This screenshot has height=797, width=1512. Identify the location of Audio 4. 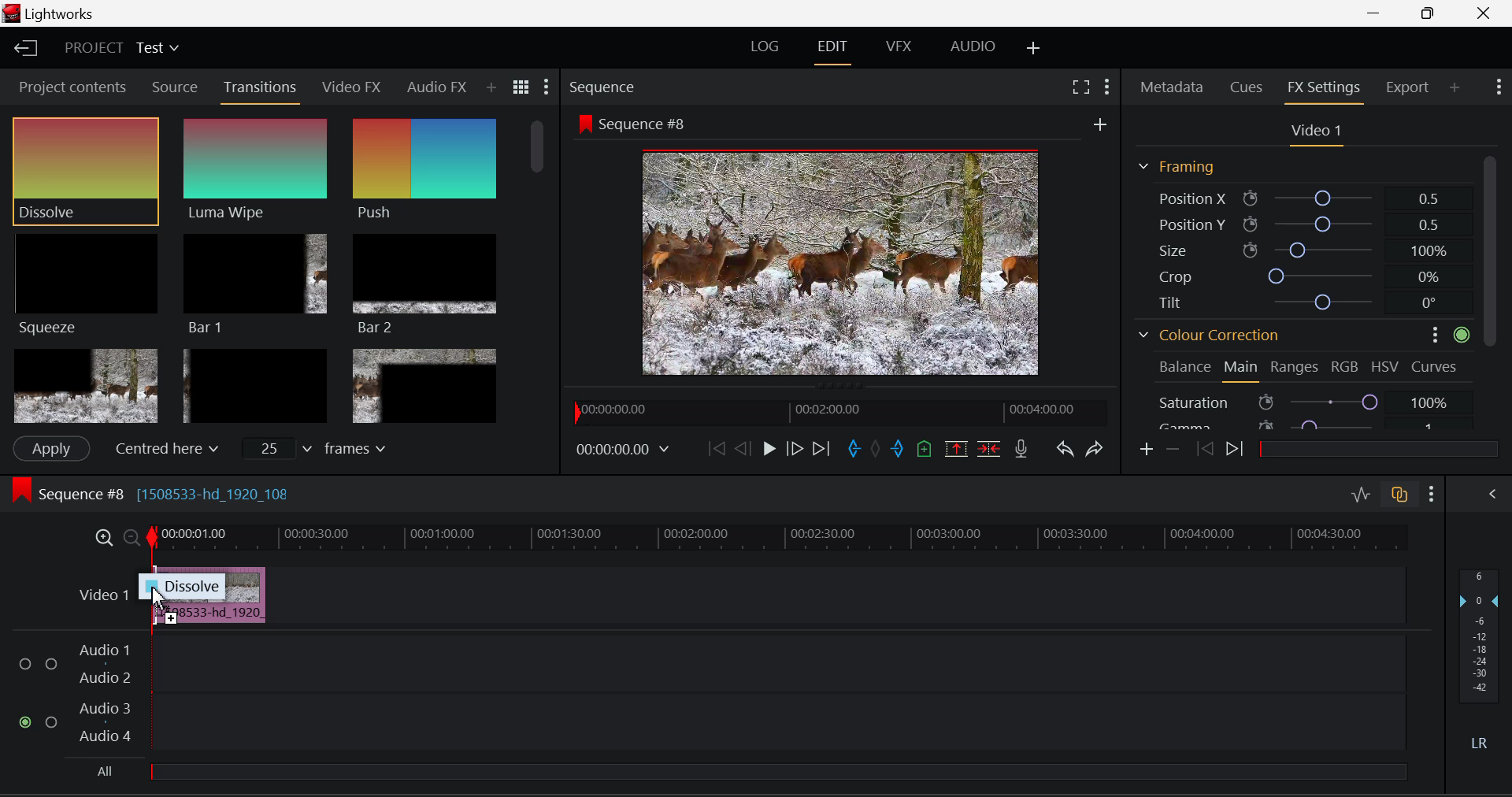
(107, 739).